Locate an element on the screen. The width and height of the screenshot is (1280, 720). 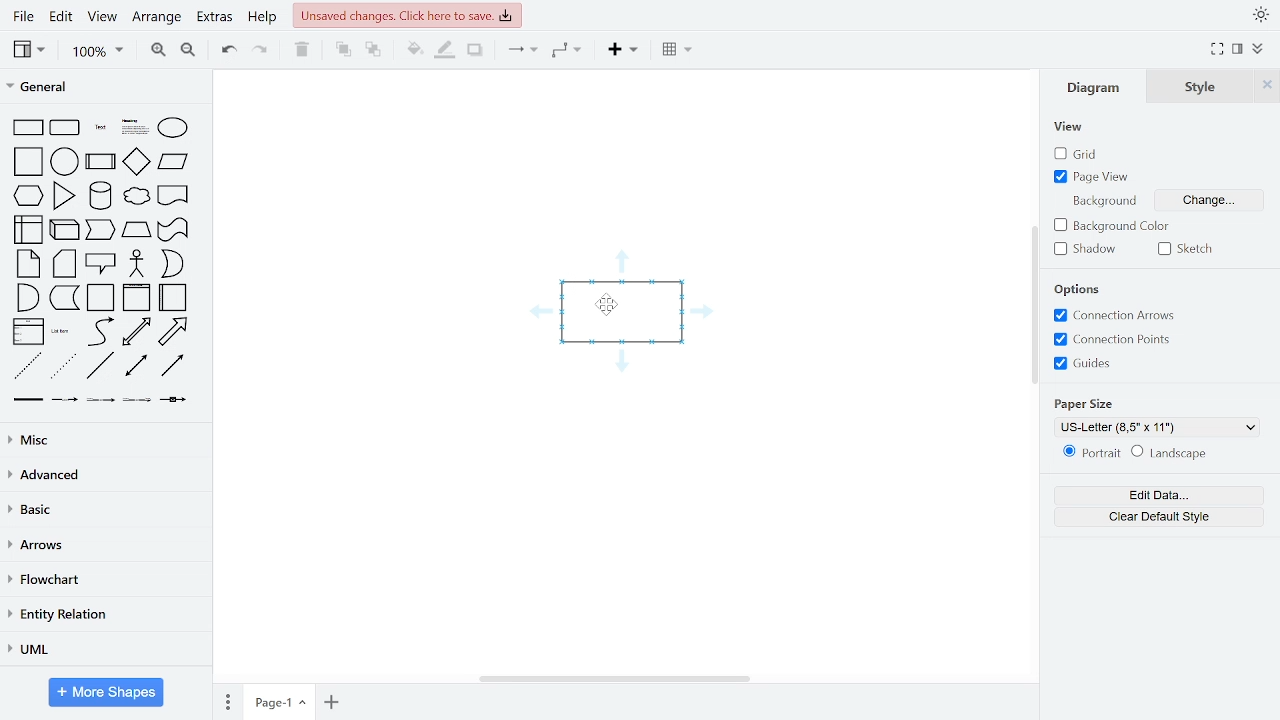
parallelogram is located at coordinates (174, 163).